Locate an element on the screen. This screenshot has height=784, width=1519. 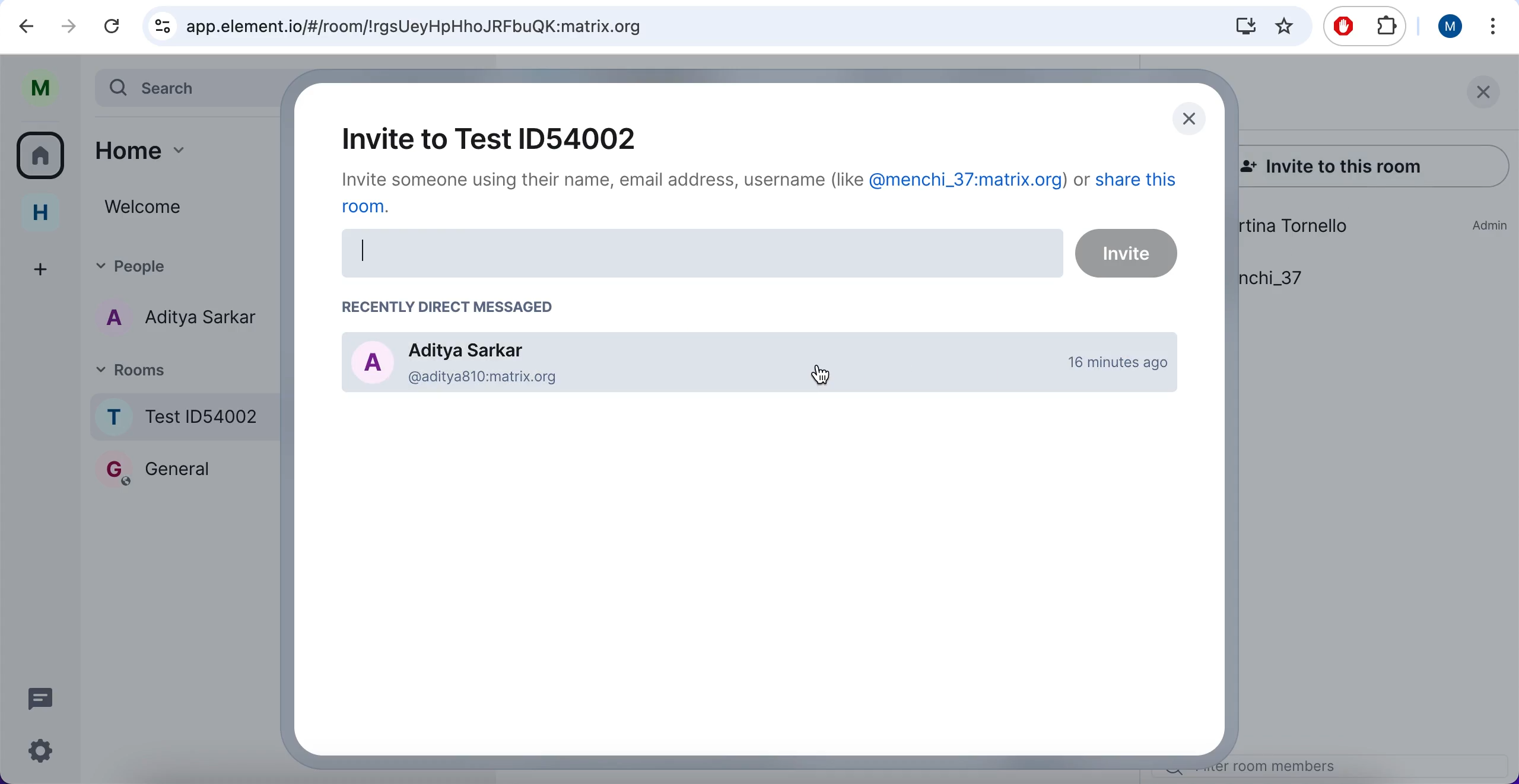
favorites is located at coordinates (1283, 26).